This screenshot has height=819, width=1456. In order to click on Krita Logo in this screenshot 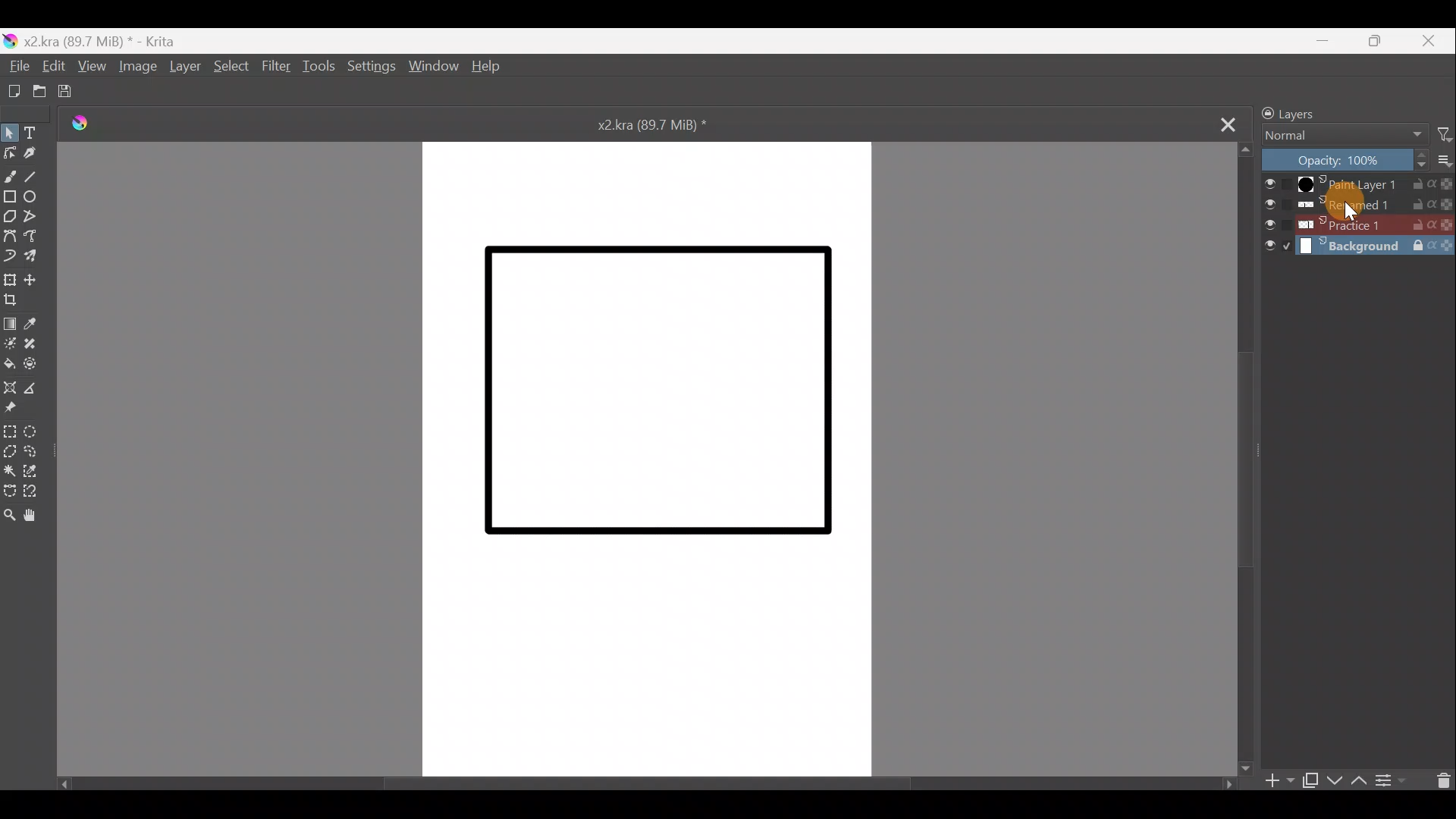, I will do `click(79, 124)`.